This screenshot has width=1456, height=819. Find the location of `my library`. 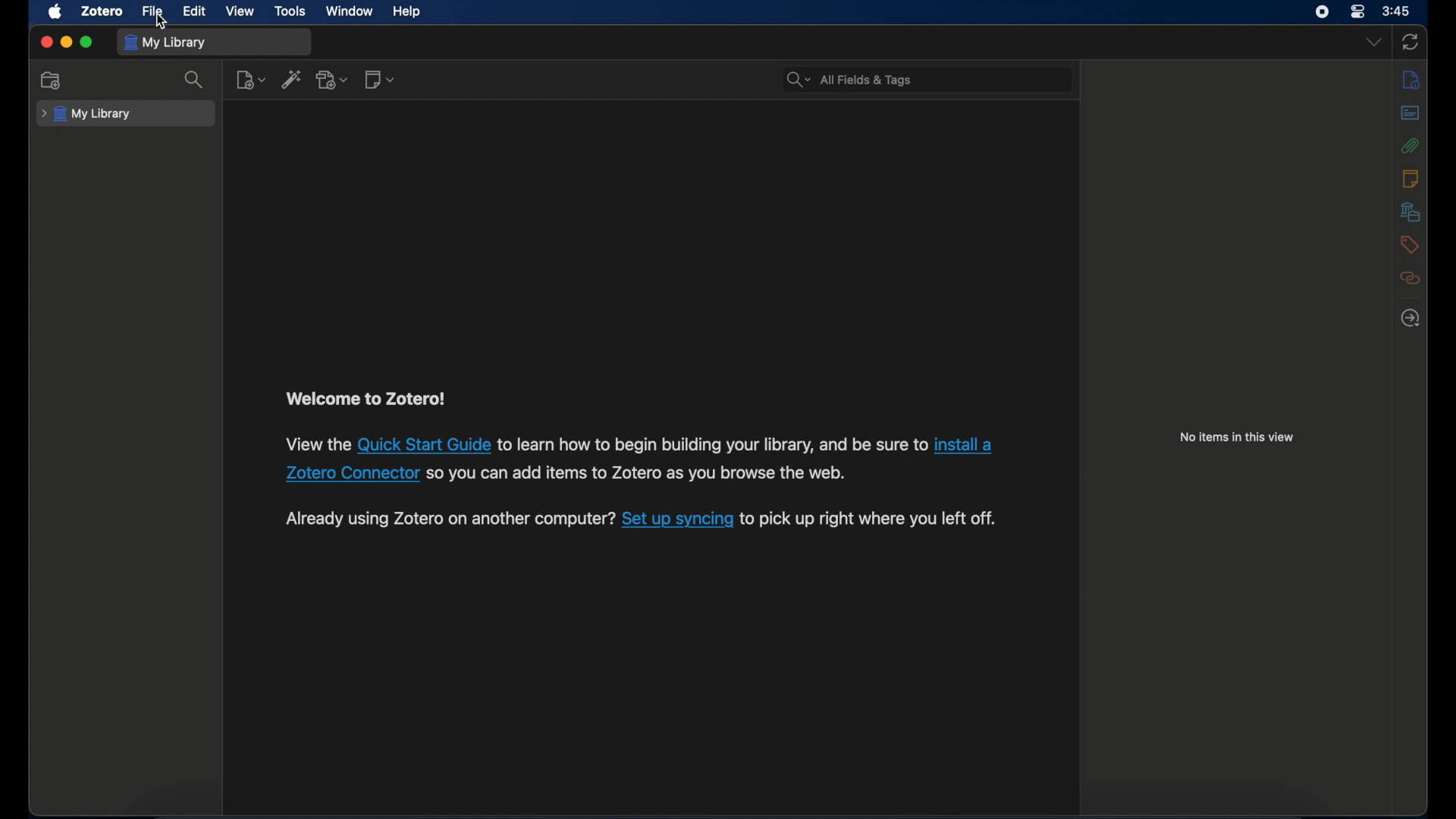

my library is located at coordinates (168, 42).